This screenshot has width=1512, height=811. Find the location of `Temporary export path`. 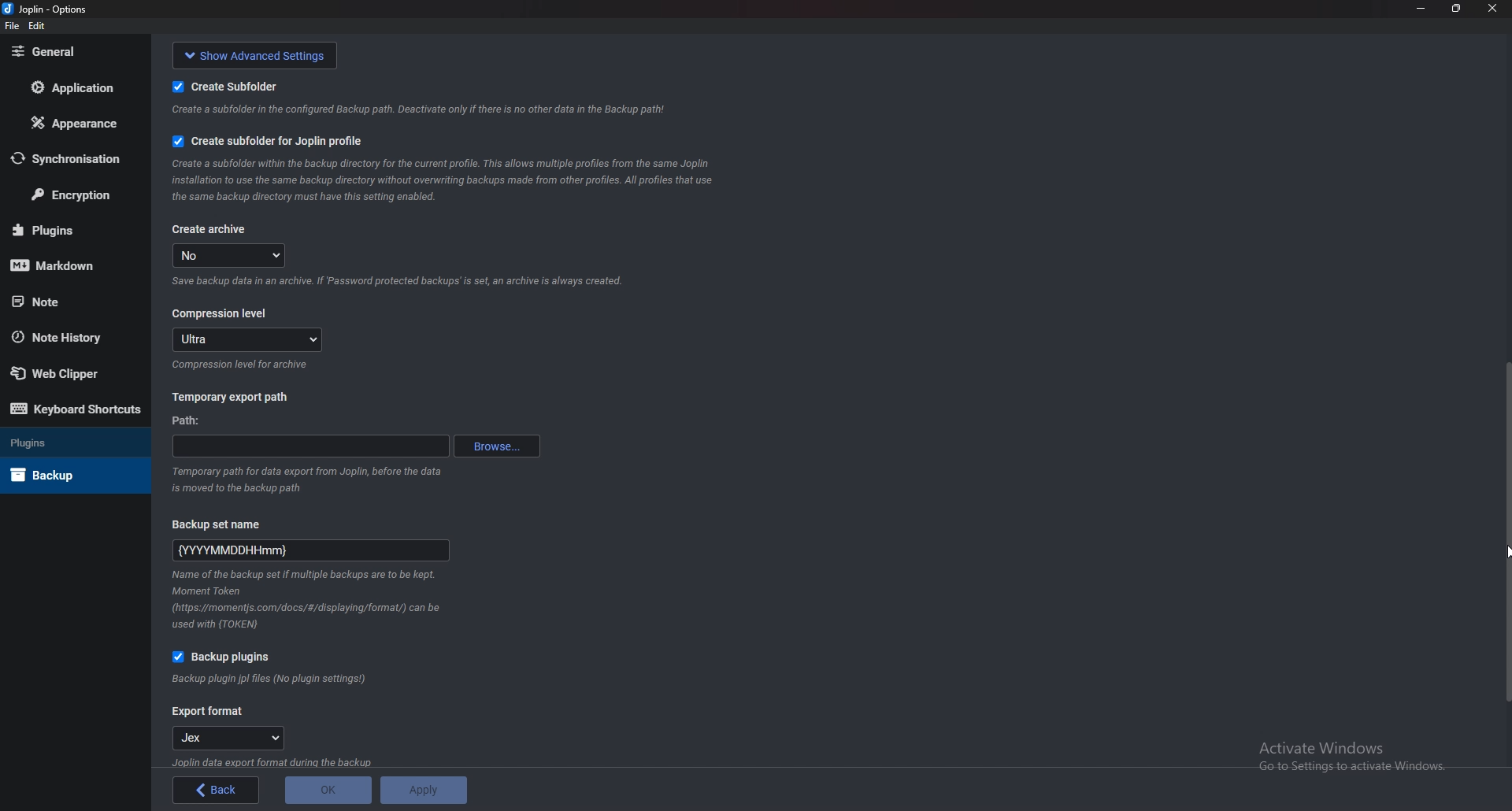

Temporary export path is located at coordinates (239, 397).